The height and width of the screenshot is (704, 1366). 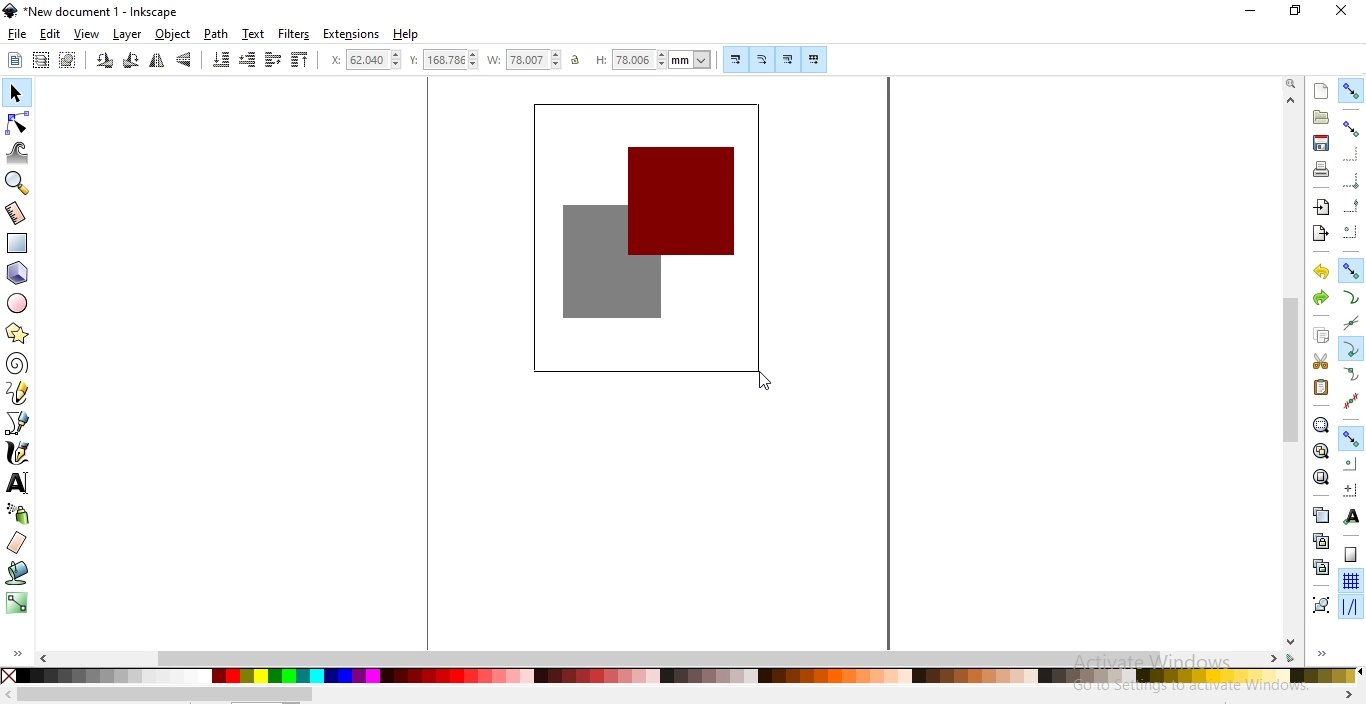 I want to click on create bezier curve and straight lines, so click(x=18, y=422).